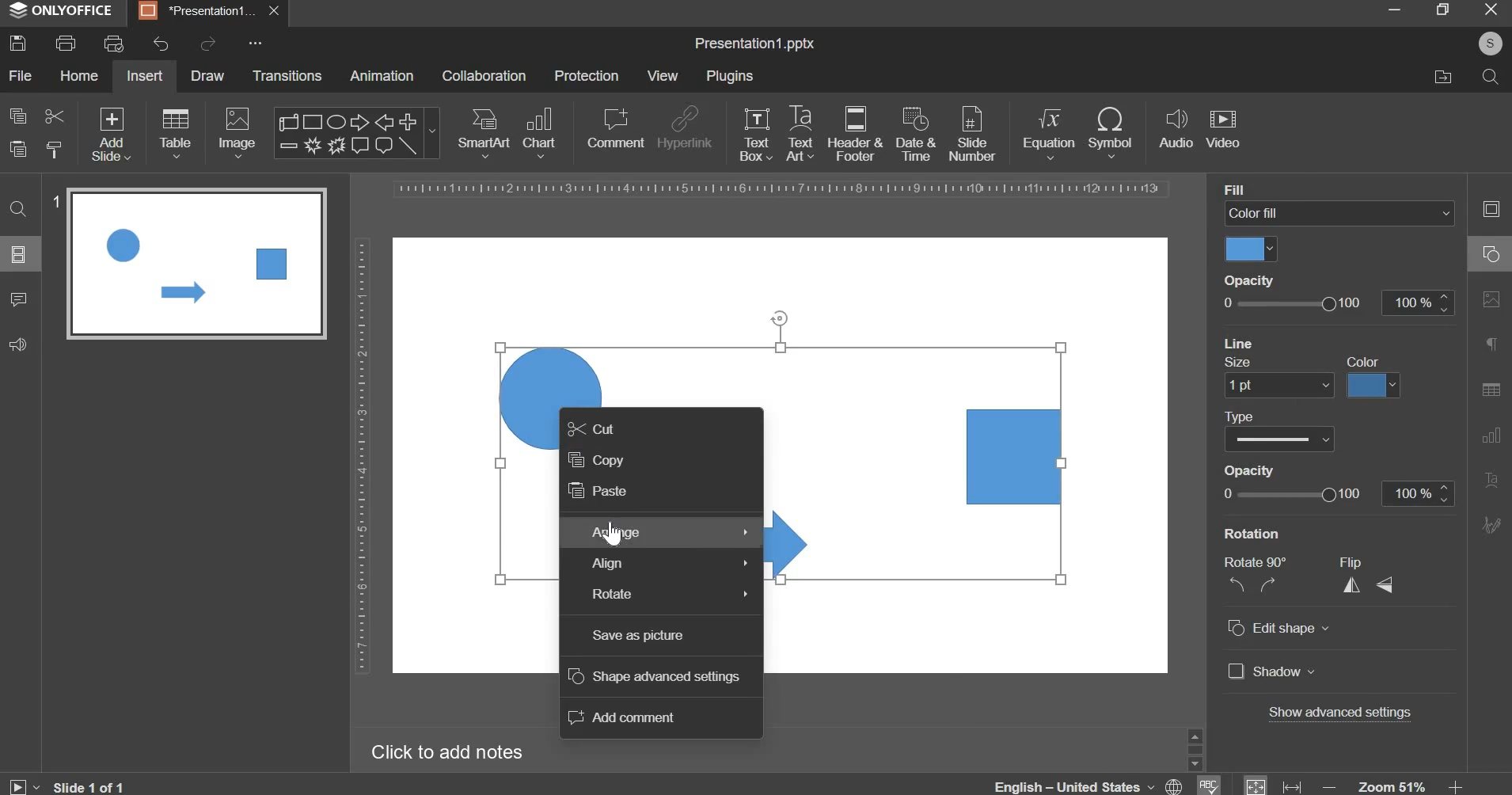  What do you see at coordinates (1271, 585) in the screenshot?
I see `rotate right 90` at bounding box center [1271, 585].